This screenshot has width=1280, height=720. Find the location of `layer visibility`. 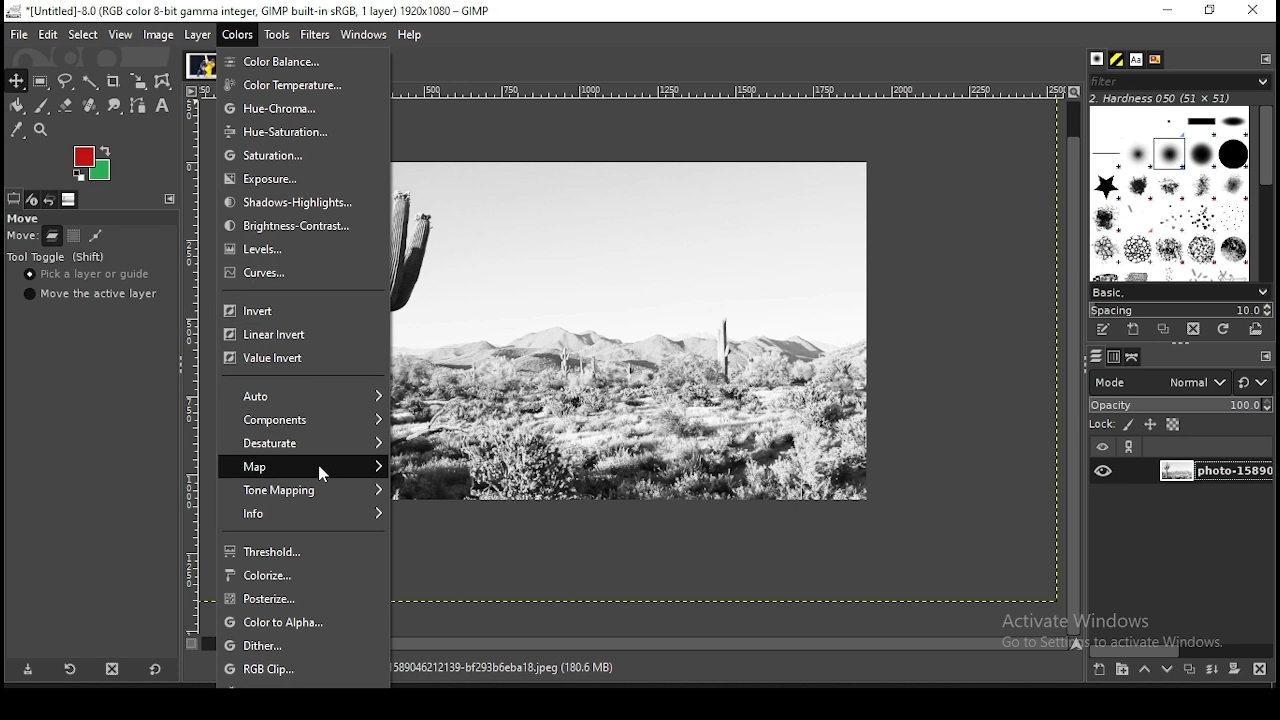

layer visibility is located at coordinates (1101, 448).